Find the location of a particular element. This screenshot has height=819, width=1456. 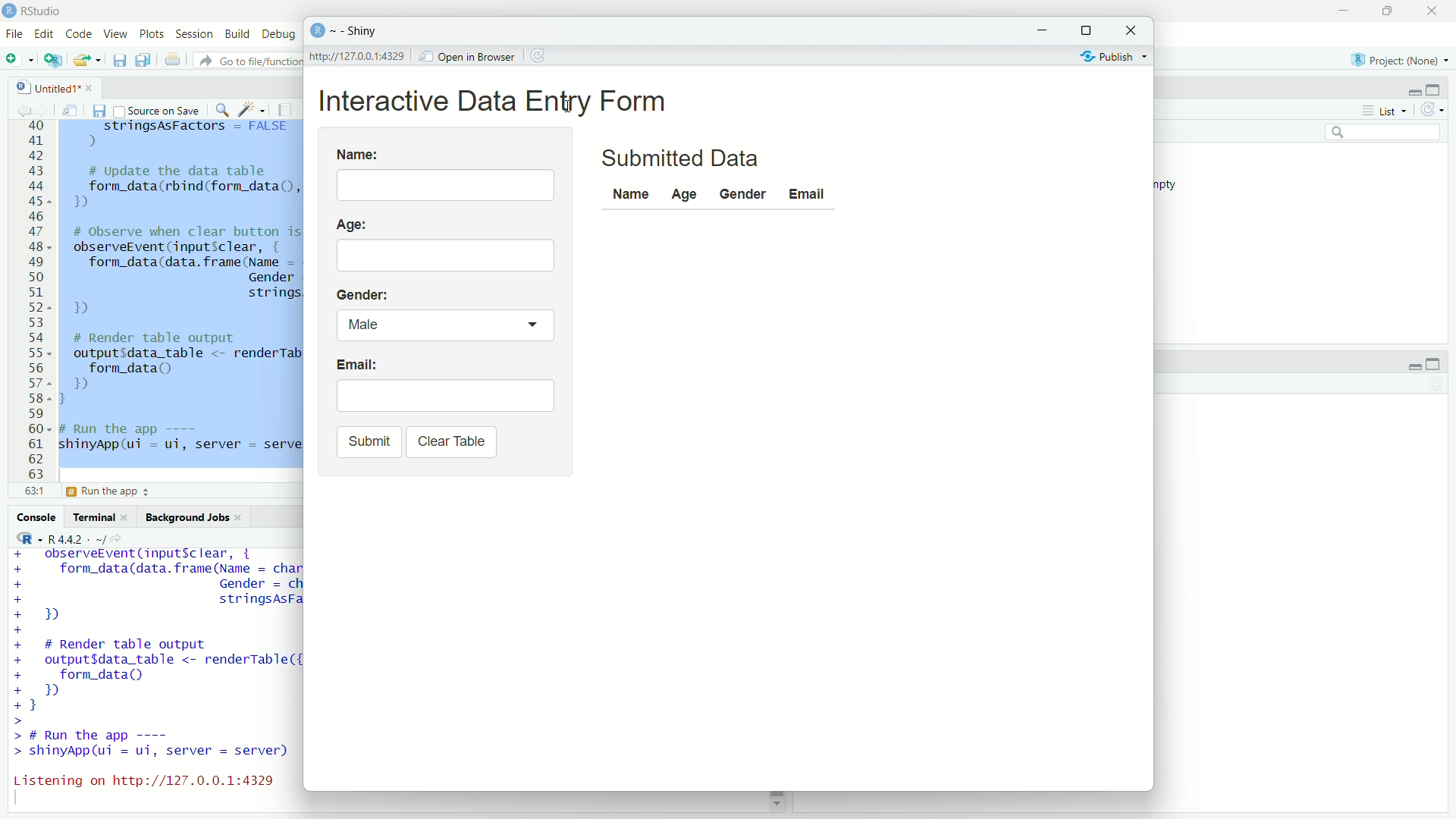

close is located at coordinates (1134, 29).